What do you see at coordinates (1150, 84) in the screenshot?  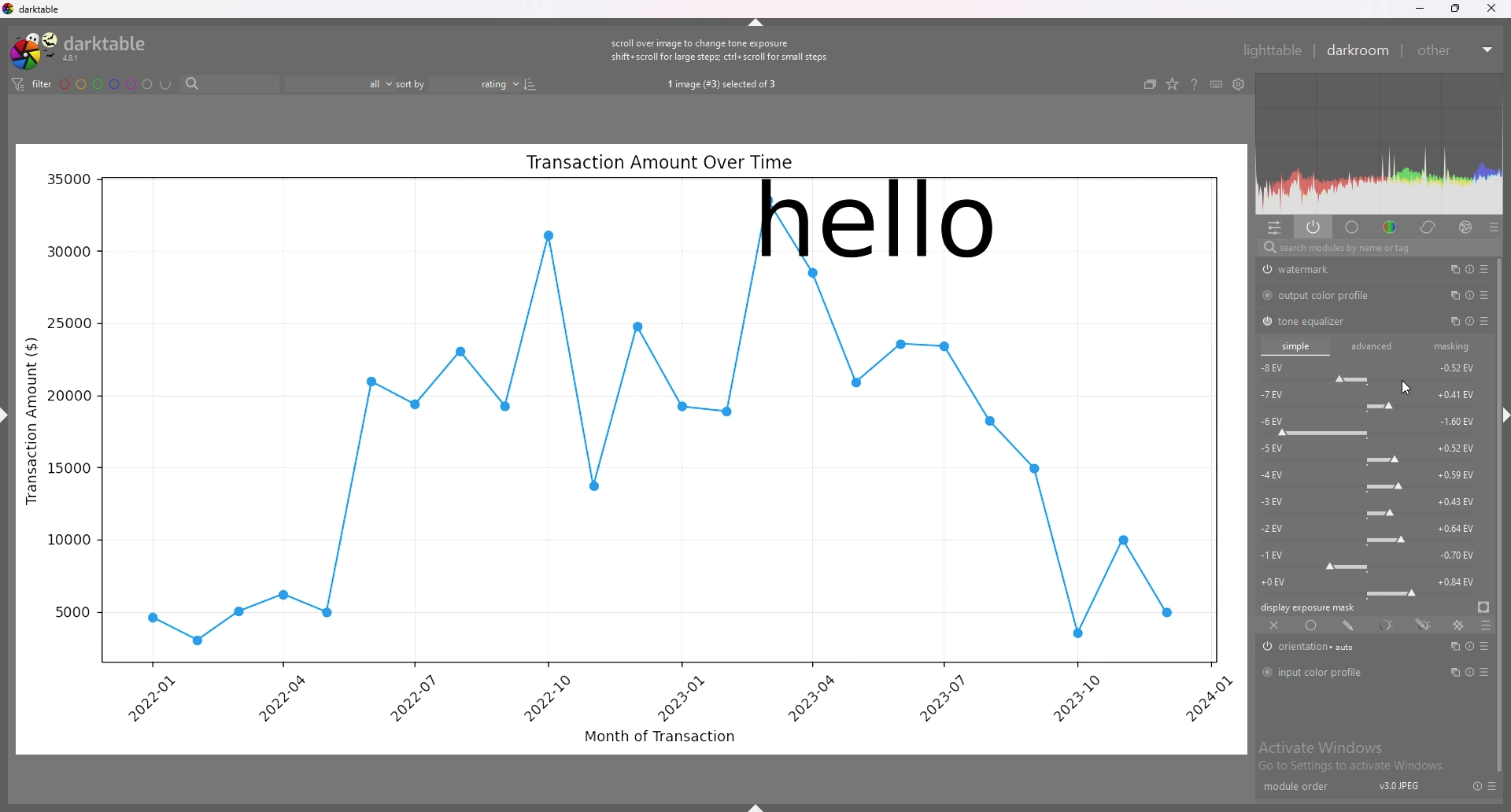 I see `collapse grouped images` at bounding box center [1150, 84].